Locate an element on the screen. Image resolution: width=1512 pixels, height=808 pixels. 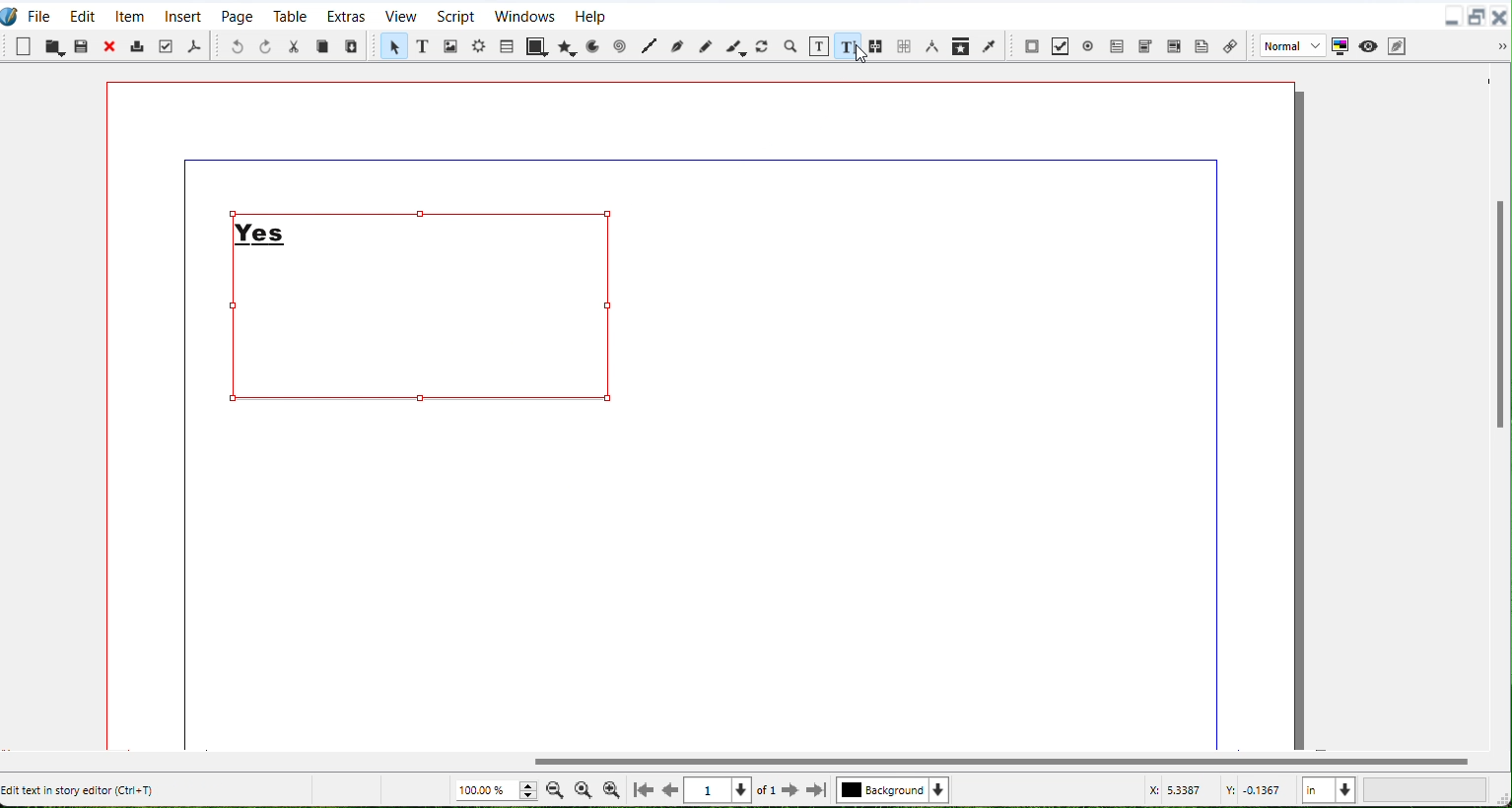
Bezier Curve is located at coordinates (675, 47).